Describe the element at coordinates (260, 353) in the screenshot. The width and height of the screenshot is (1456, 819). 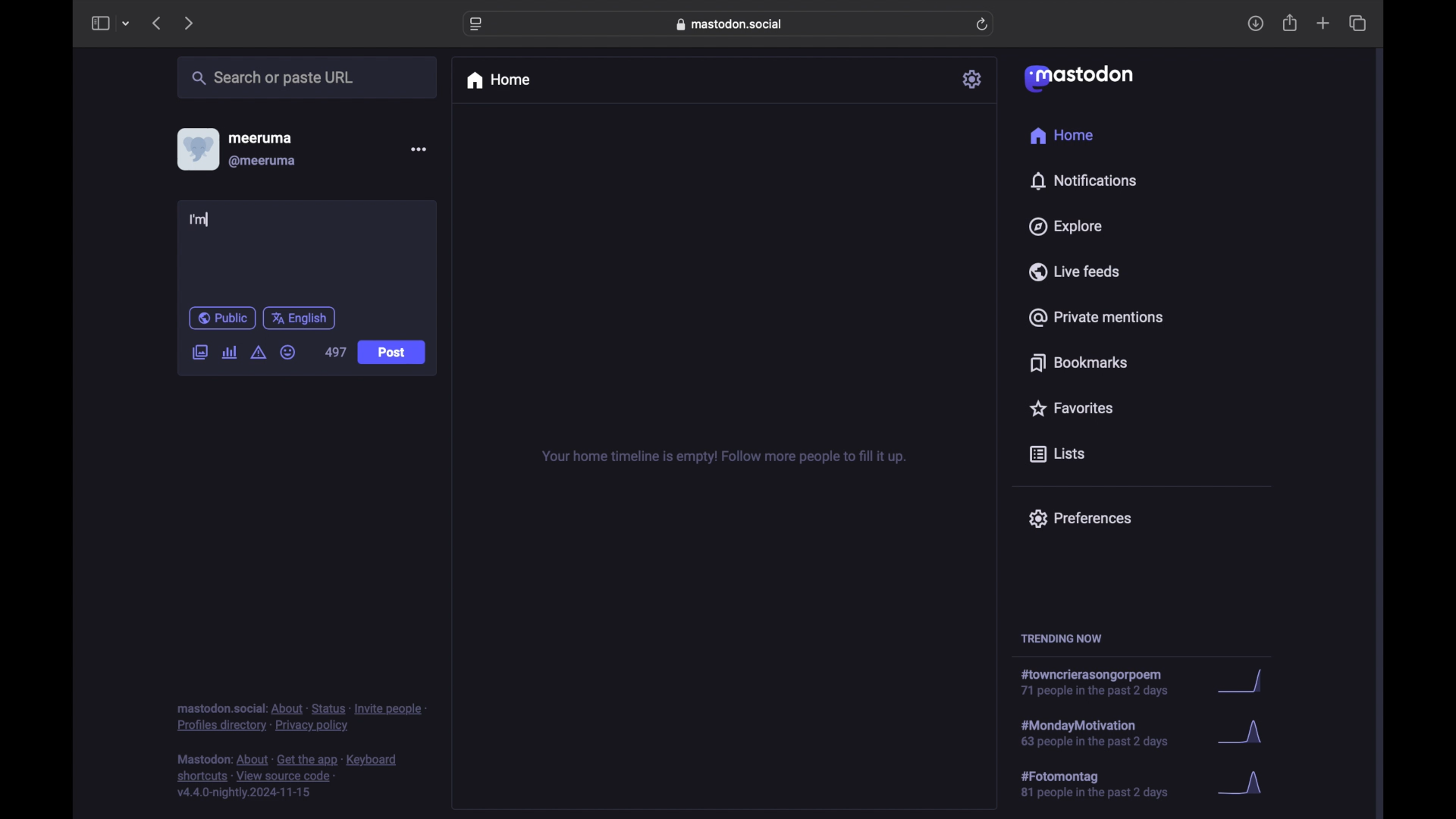
I see `add content warning` at that location.